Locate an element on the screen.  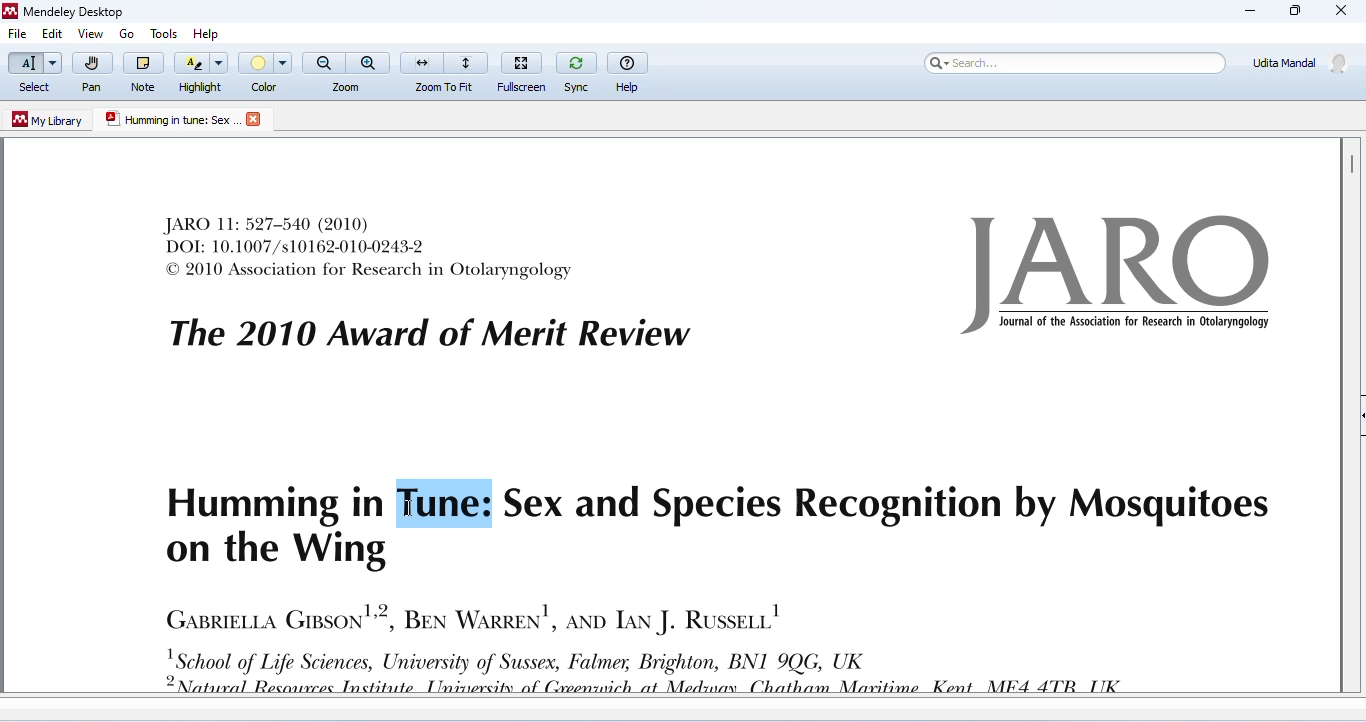
close is located at coordinates (256, 119).